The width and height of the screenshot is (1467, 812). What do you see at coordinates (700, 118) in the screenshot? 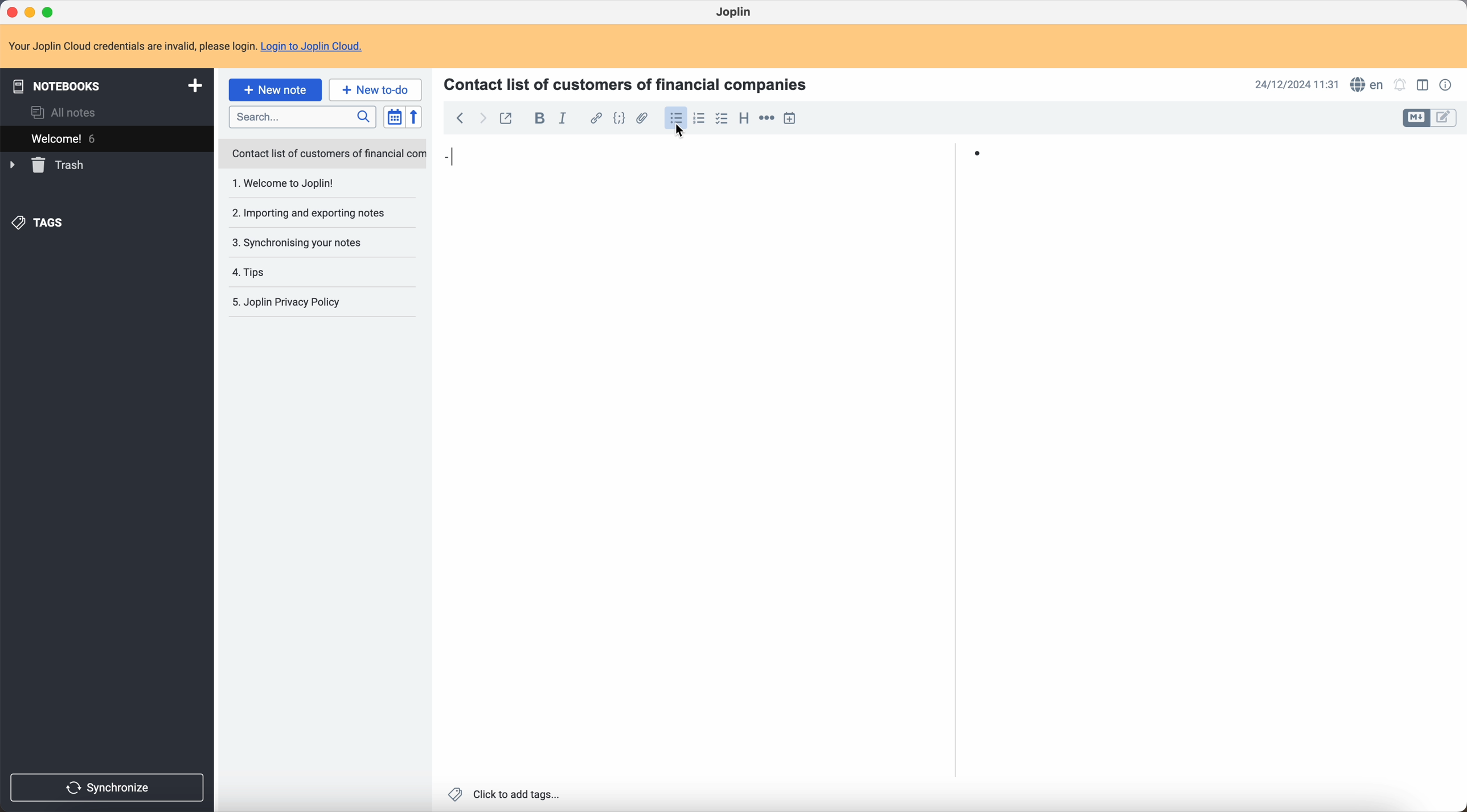
I see `numbered list` at bounding box center [700, 118].